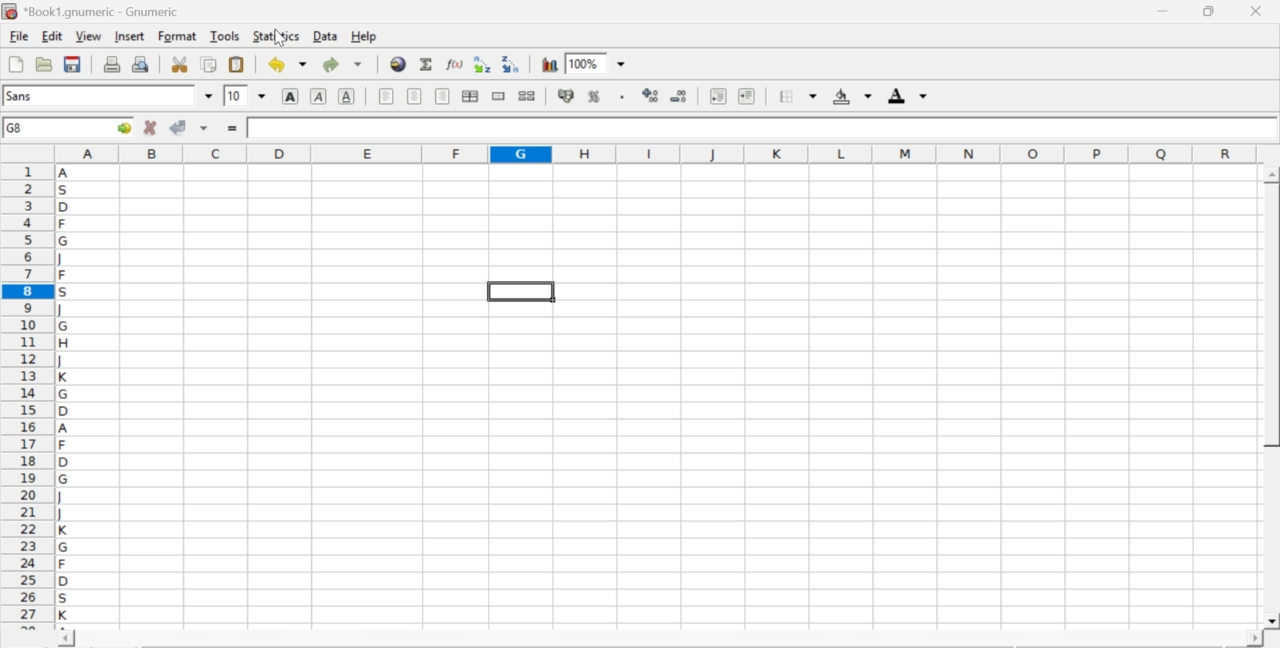 The height and width of the screenshot is (648, 1280). I want to click on foreground, so click(908, 95).